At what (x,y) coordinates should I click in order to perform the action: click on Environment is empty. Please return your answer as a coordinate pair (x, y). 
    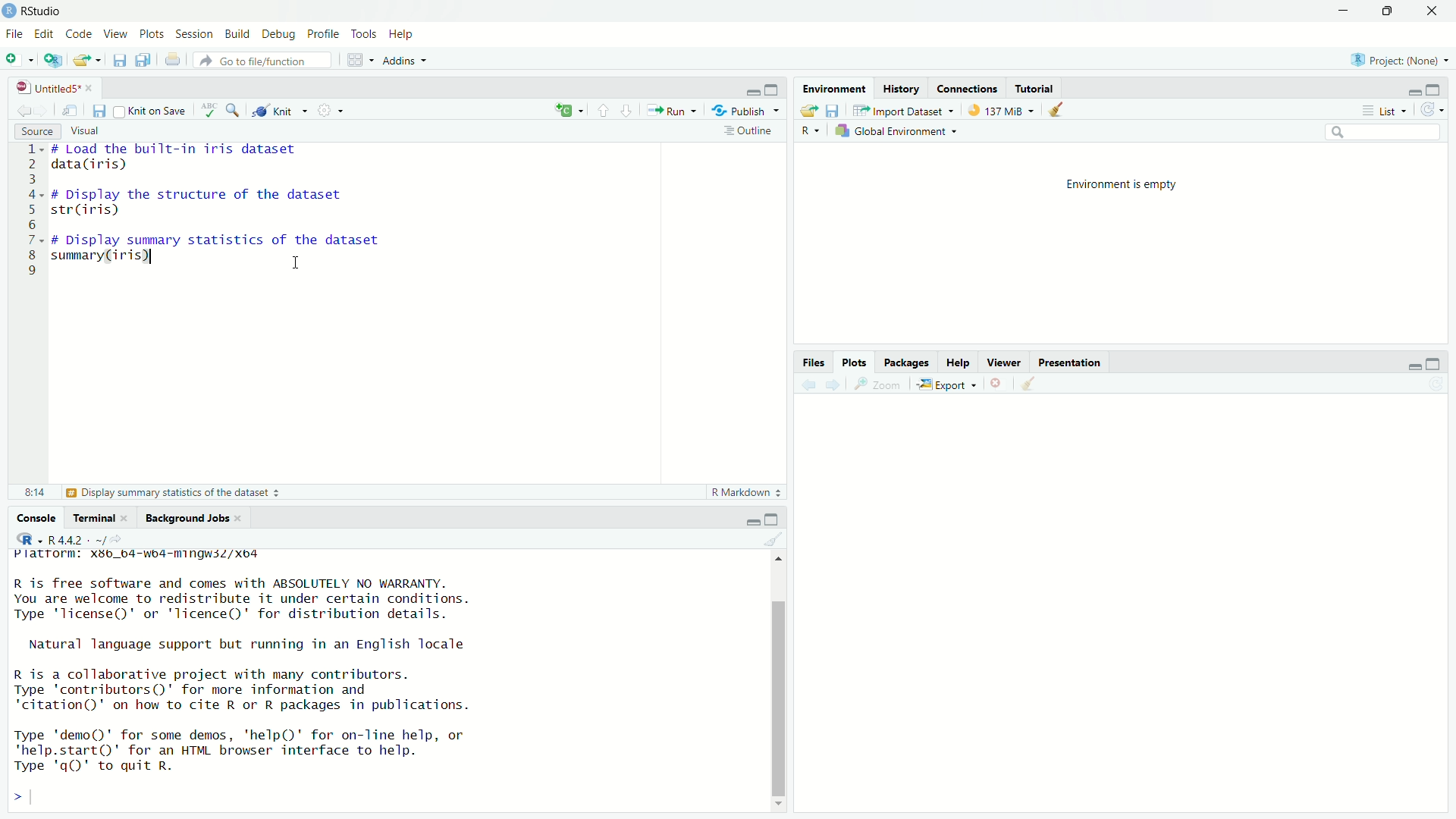
    Looking at the image, I should click on (1122, 186).